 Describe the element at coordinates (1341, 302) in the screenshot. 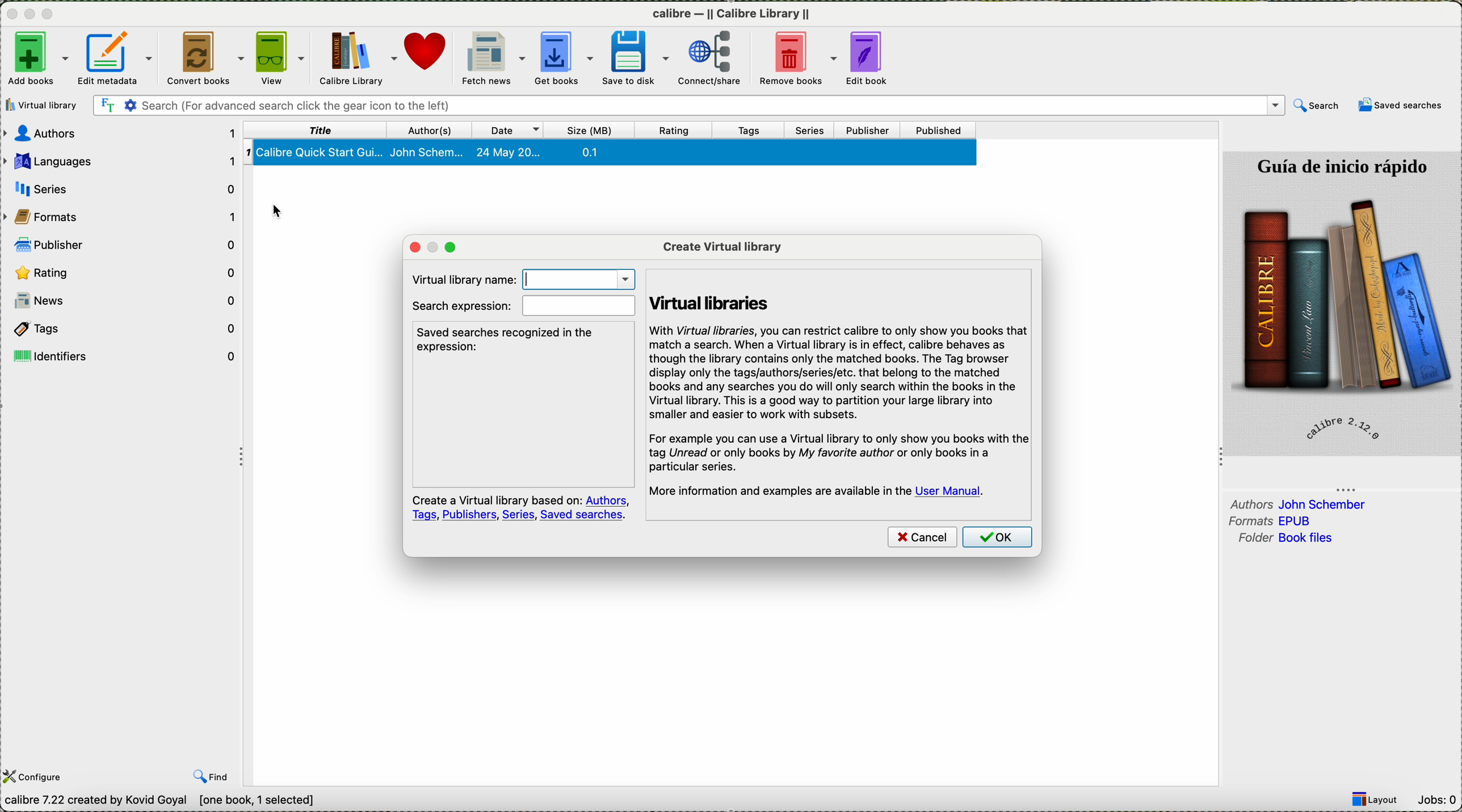

I see `calibre quick start guide preview` at that location.